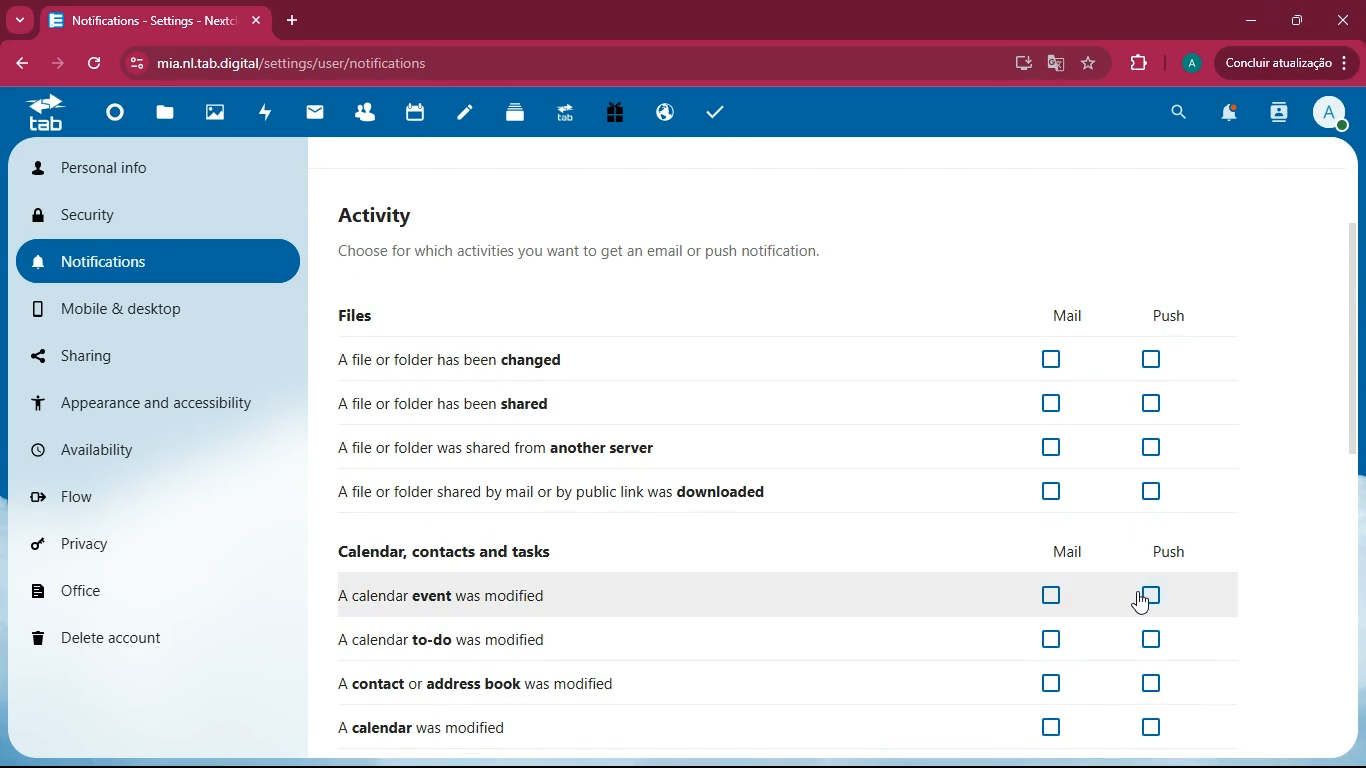  What do you see at coordinates (1252, 20) in the screenshot?
I see `minimize` at bounding box center [1252, 20].